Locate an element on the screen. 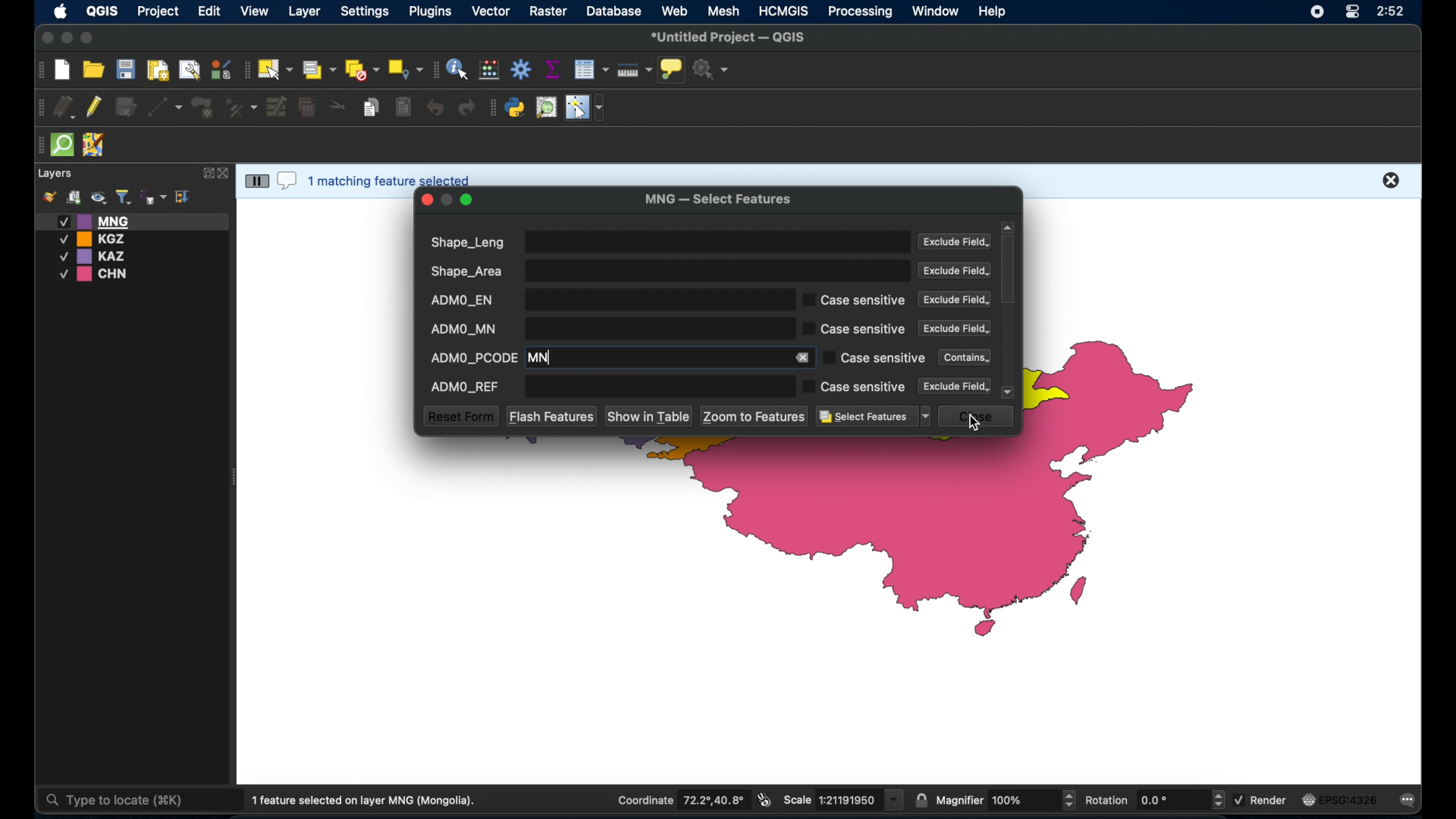 Image resolution: width=1456 pixels, height=819 pixels. CHN is located at coordinates (96, 275).